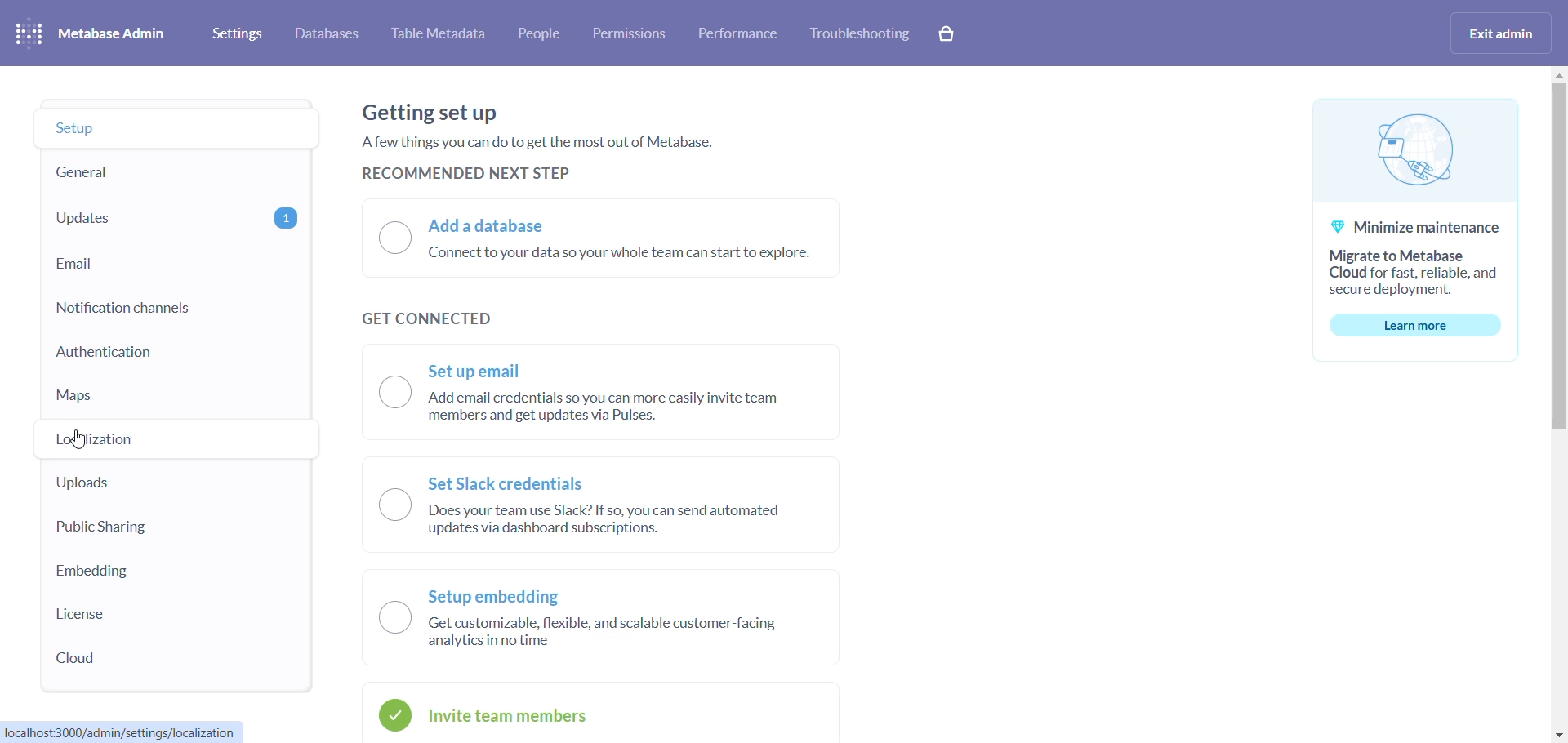  What do you see at coordinates (1558, 736) in the screenshot?
I see `move down` at bounding box center [1558, 736].